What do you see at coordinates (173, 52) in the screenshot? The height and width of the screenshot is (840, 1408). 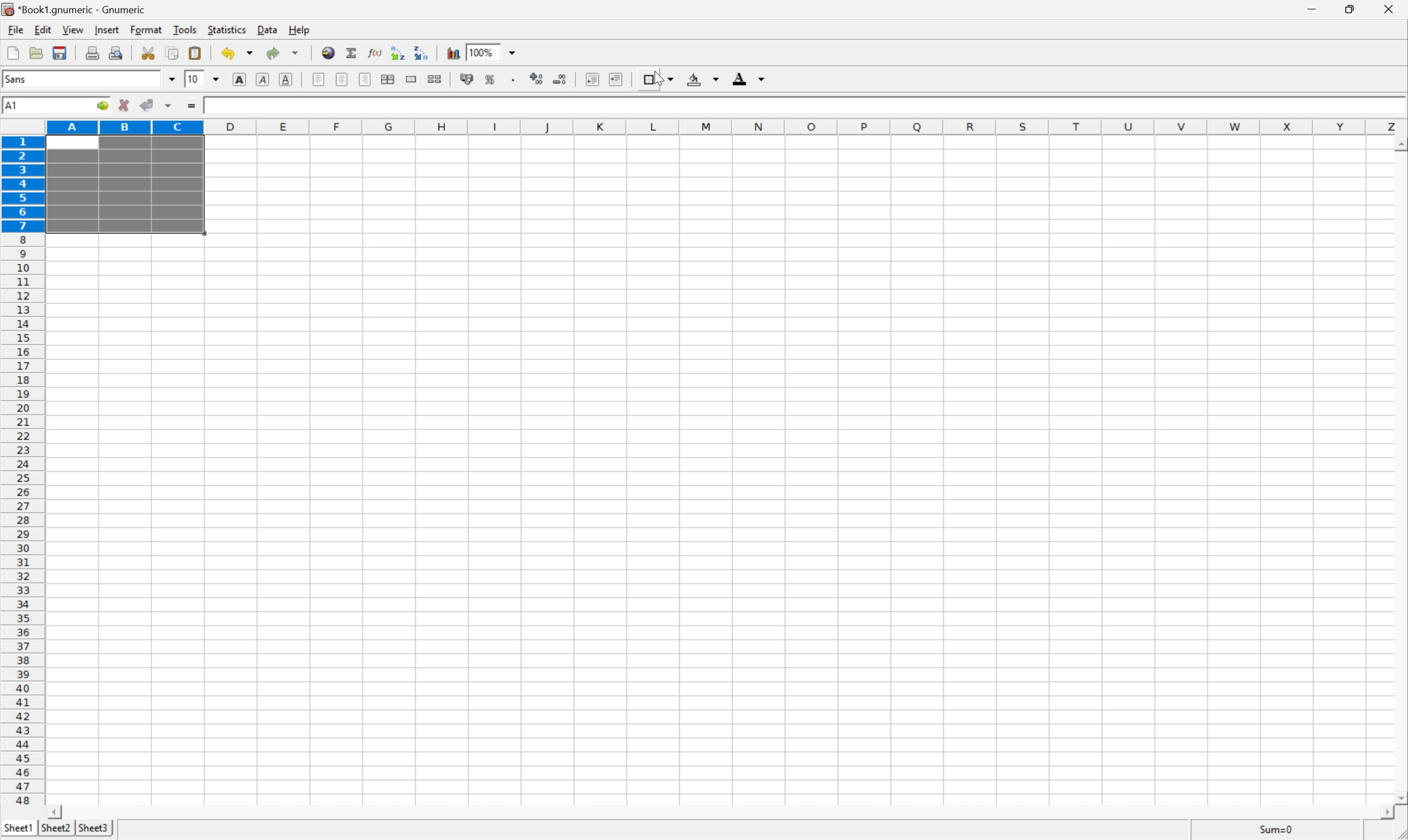 I see `copy` at bounding box center [173, 52].